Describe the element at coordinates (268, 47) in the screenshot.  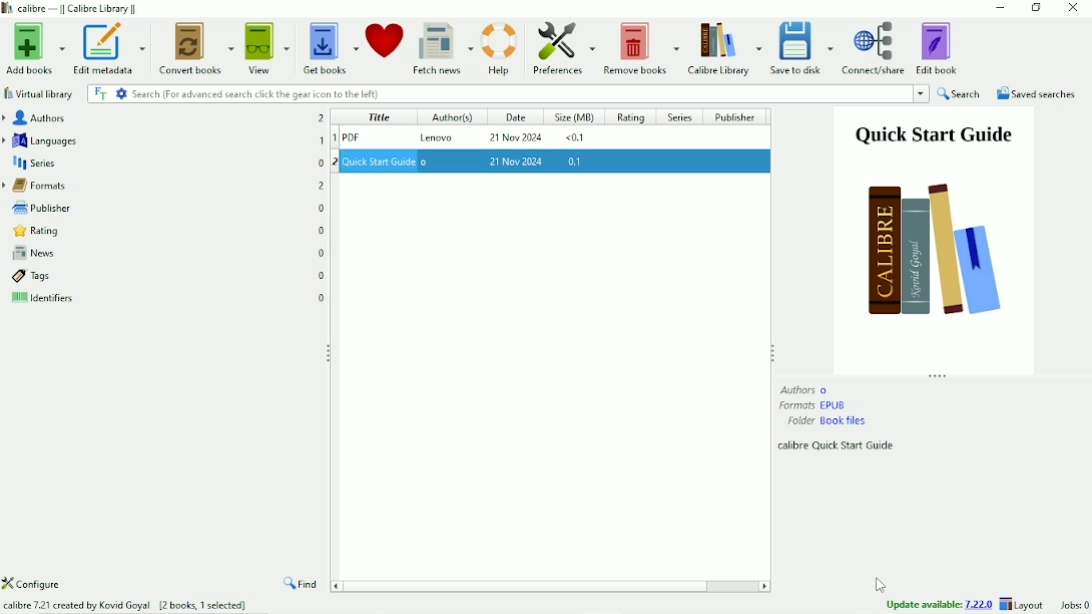
I see `View` at that location.